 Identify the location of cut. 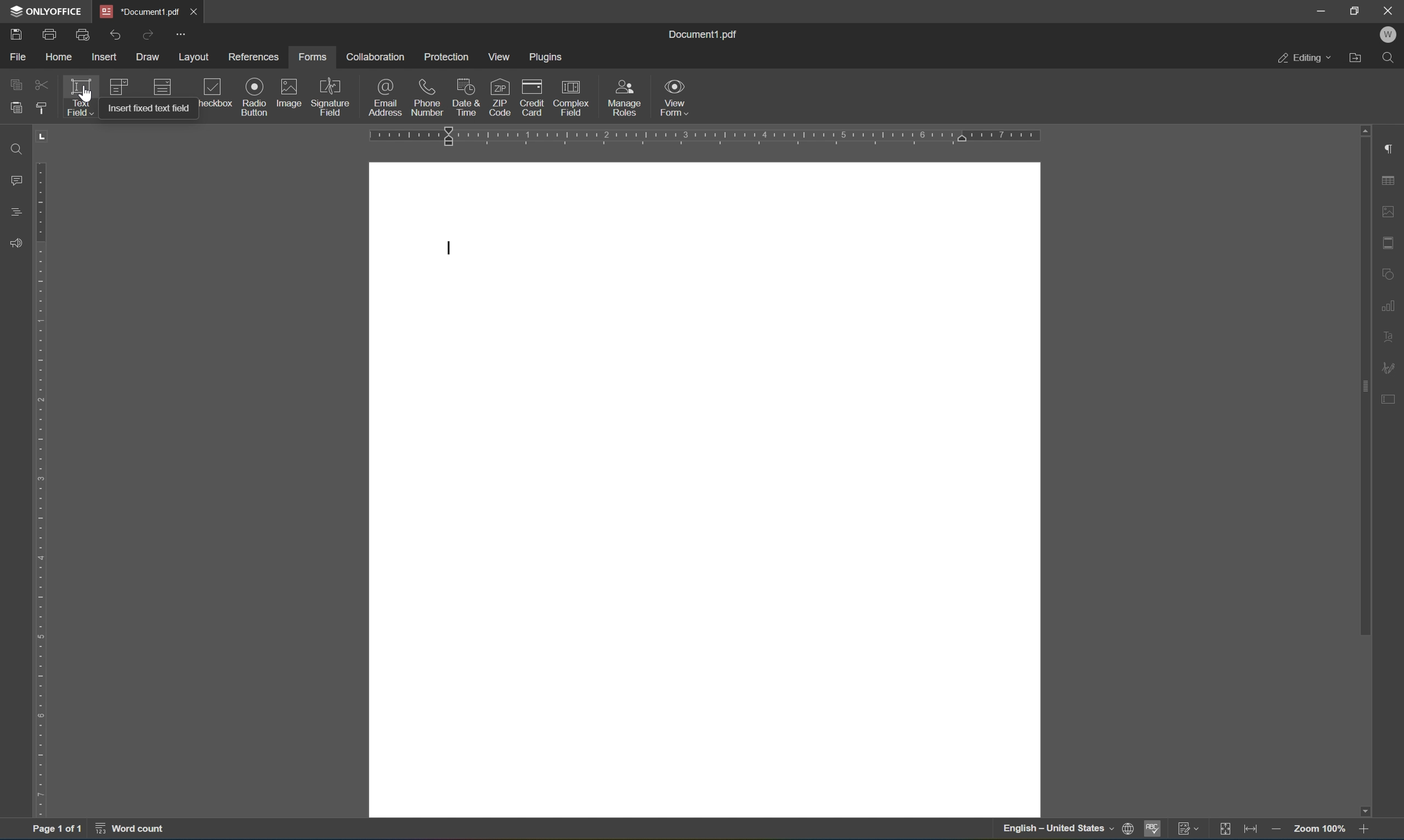
(42, 86).